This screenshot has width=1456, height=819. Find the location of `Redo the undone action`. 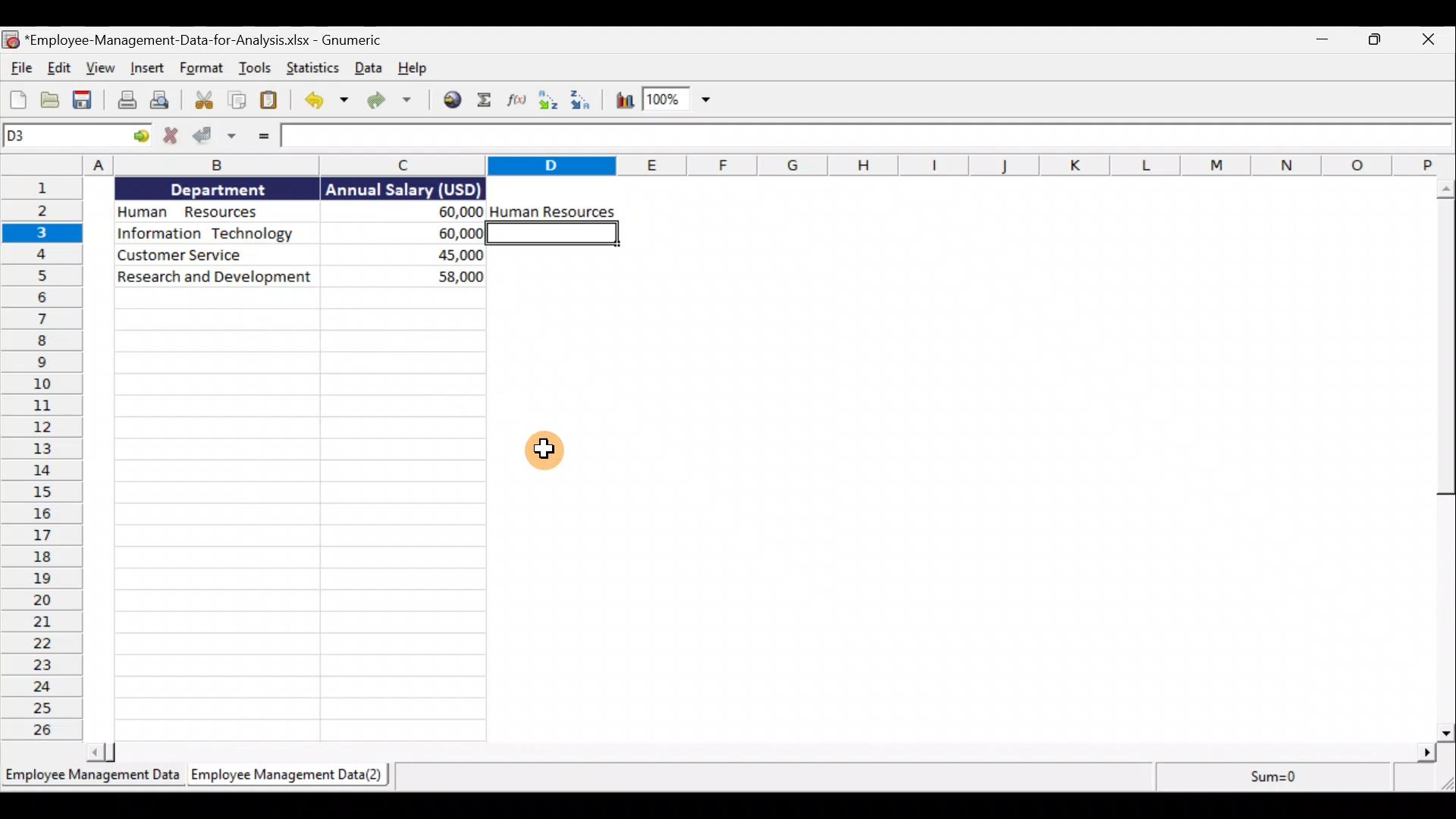

Redo the undone action is located at coordinates (395, 102).